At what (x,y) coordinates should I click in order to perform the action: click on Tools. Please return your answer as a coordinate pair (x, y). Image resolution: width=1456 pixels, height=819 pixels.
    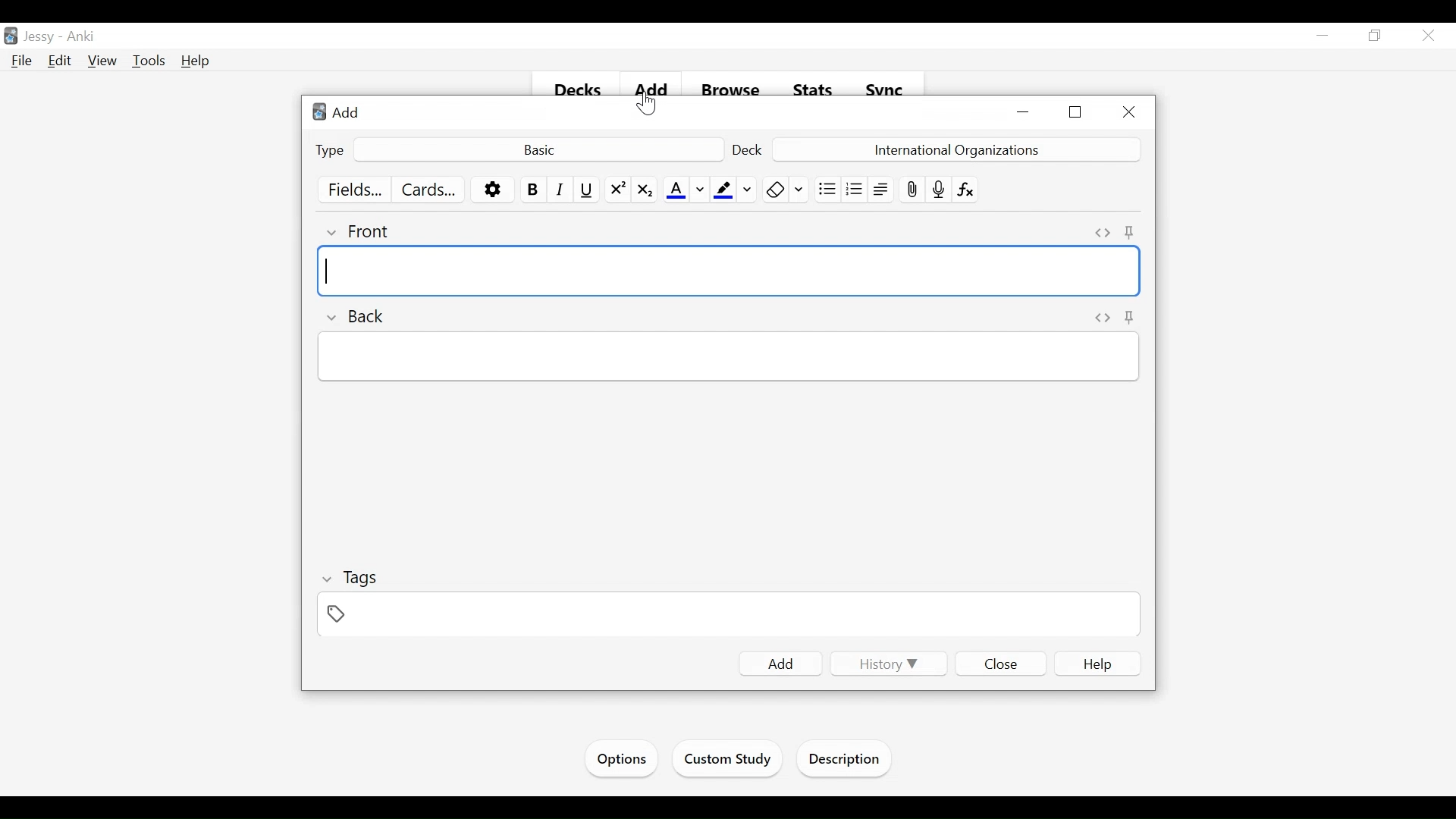
    Looking at the image, I should click on (149, 61).